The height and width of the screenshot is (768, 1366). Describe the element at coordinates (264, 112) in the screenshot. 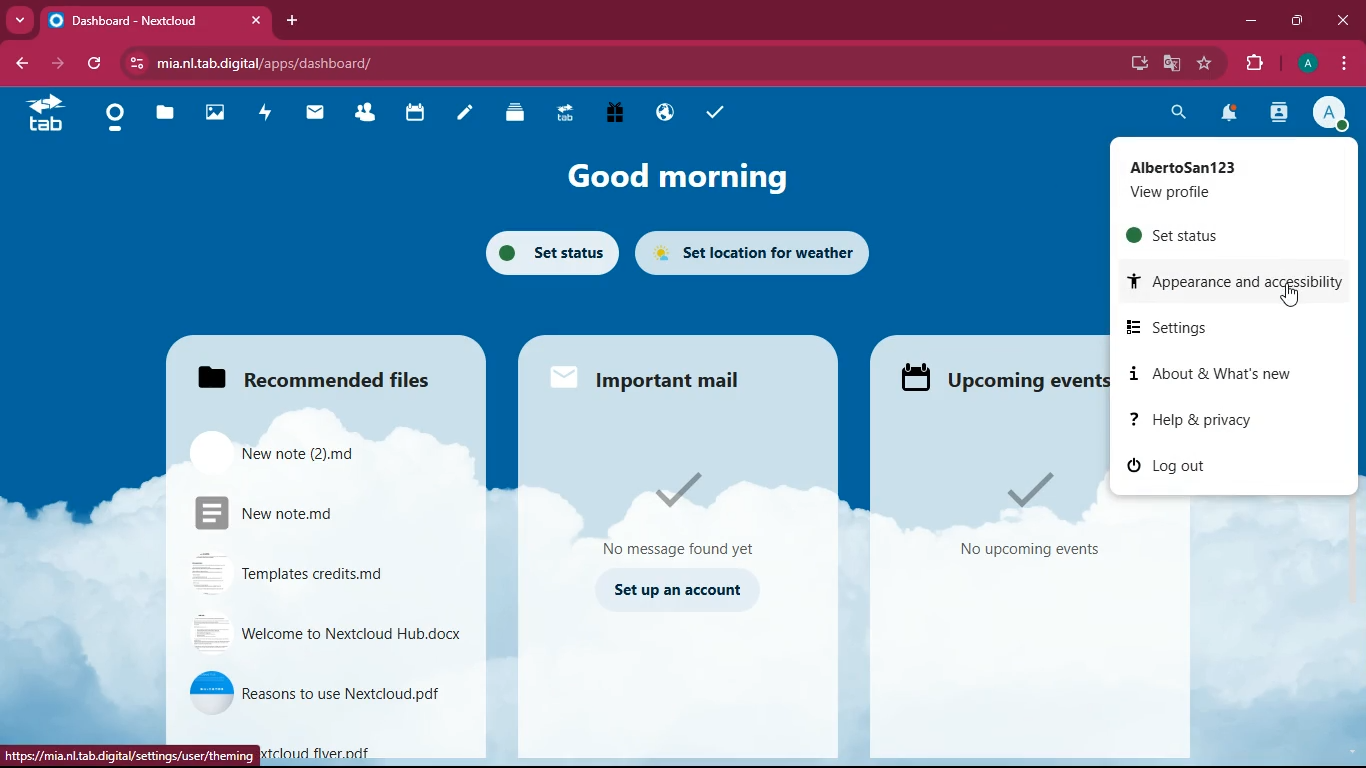

I see `activity` at that location.